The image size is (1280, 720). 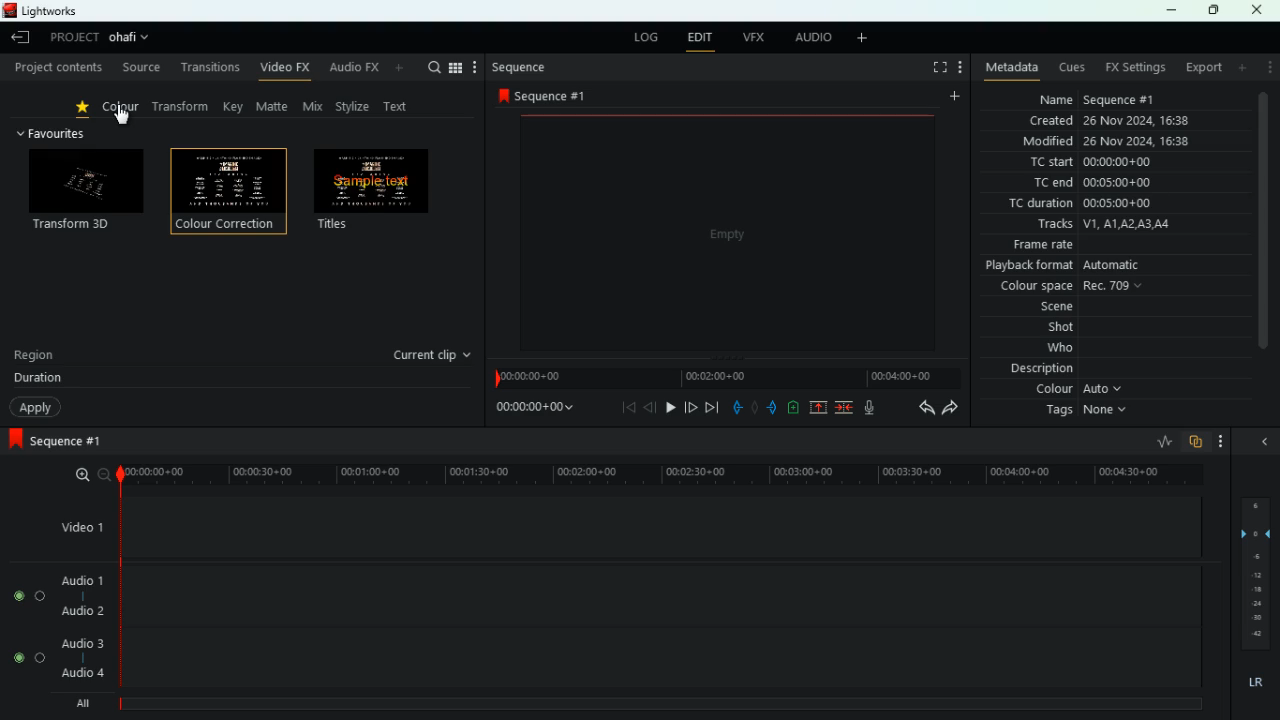 I want to click on colour, so click(x=1083, y=392).